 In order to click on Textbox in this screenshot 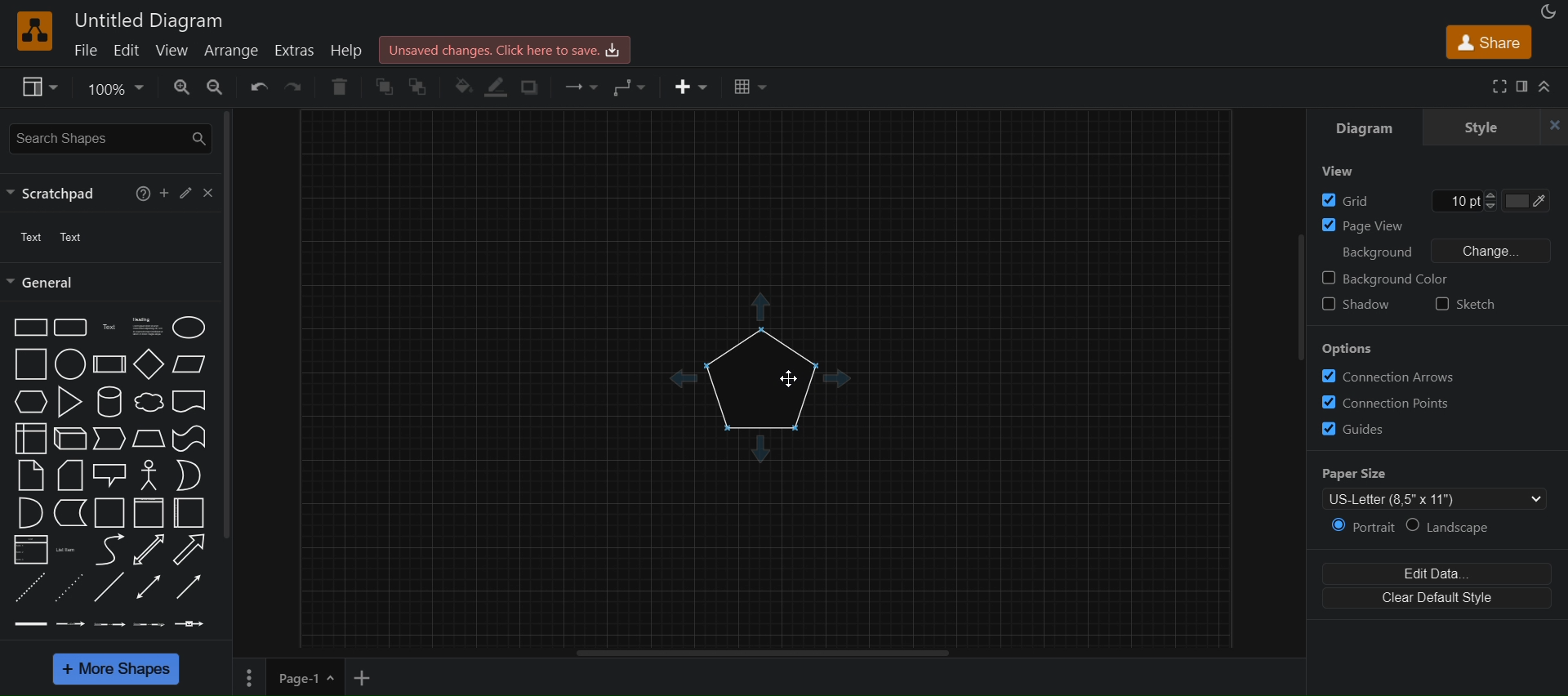, I will do `click(148, 328)`.